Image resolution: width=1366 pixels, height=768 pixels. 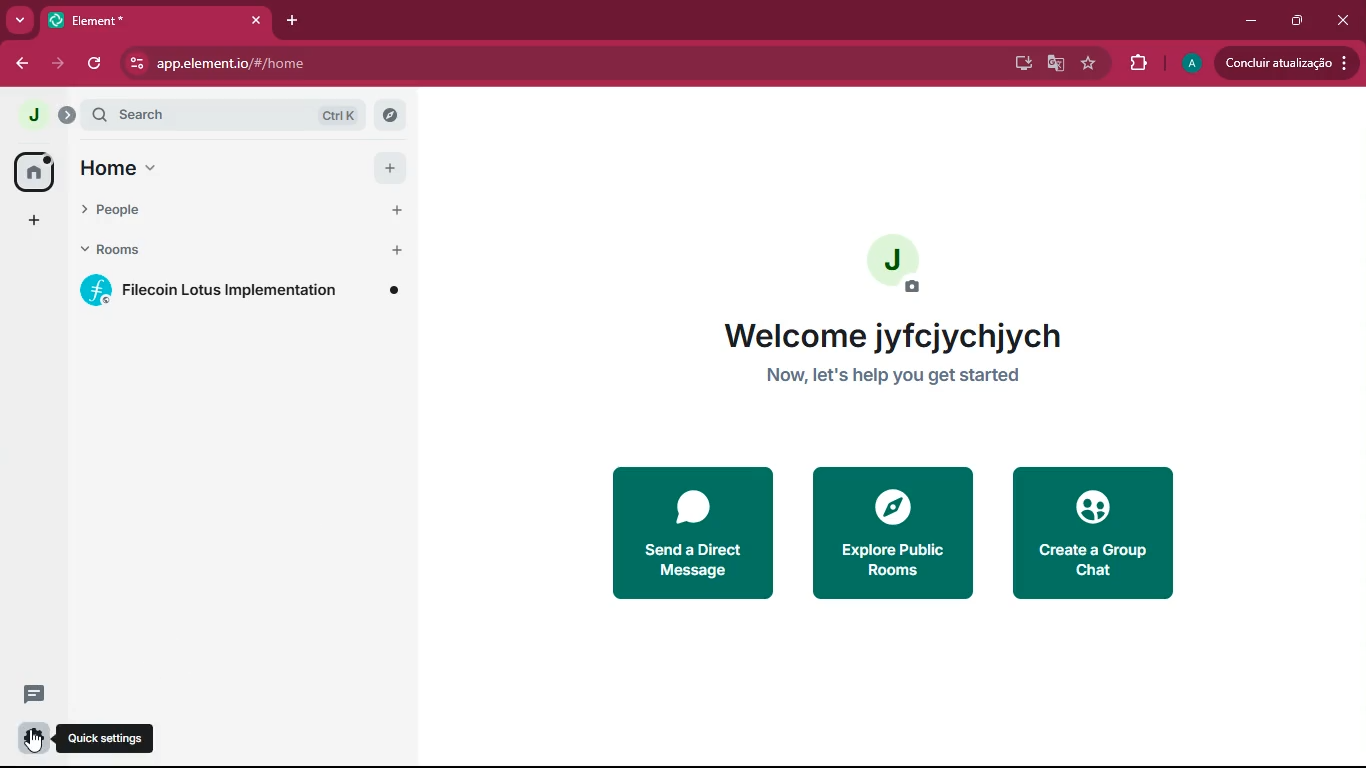 I want to click on app.element.io/#/home, so click(x=318, y=65).